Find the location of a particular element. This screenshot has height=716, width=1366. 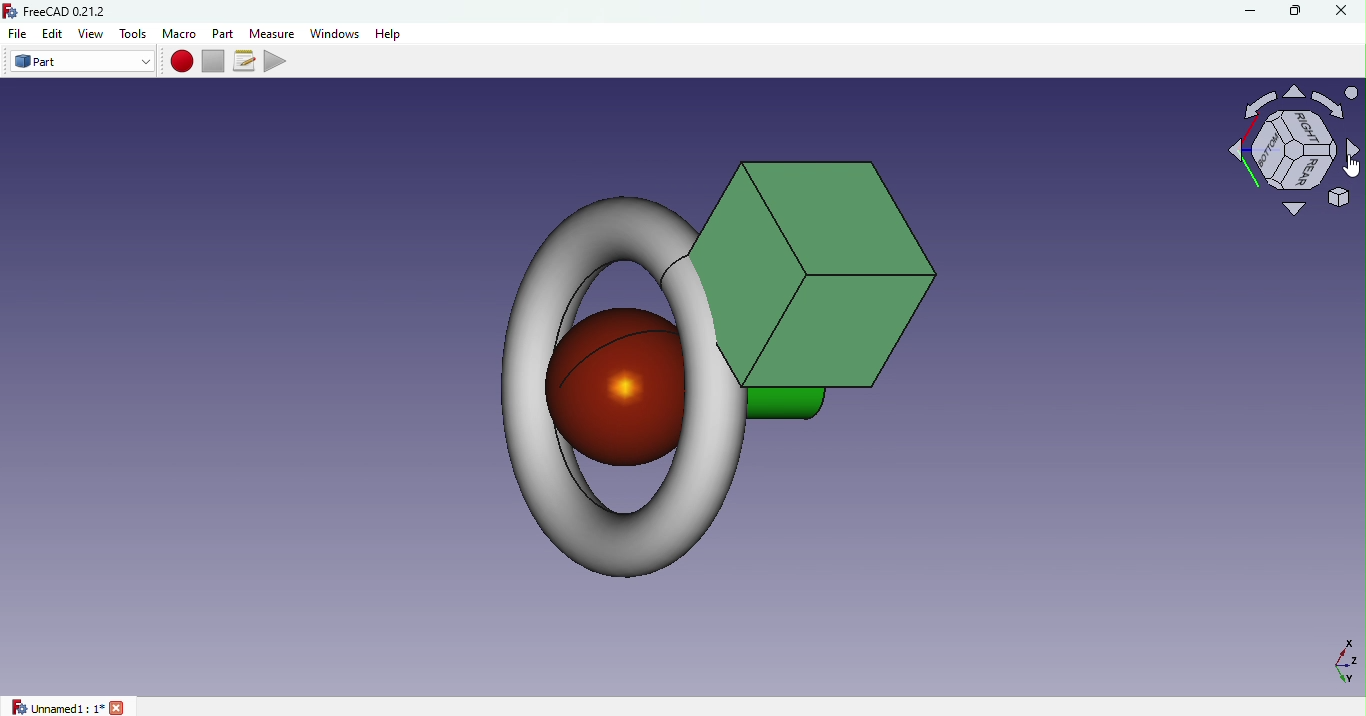

Navigation cube is located at coordinates (1286, 156).